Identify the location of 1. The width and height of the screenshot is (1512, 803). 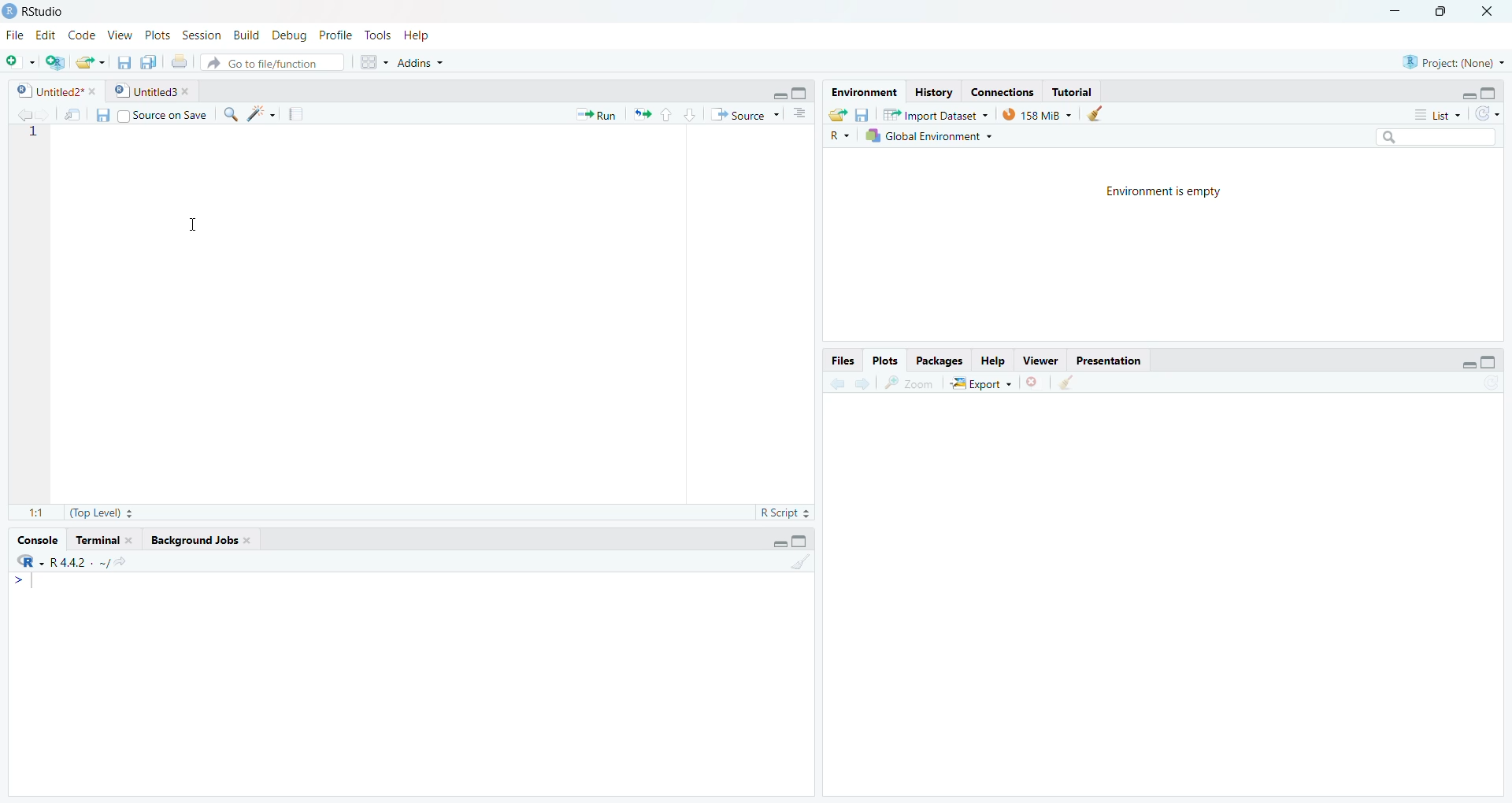
(787, 561).